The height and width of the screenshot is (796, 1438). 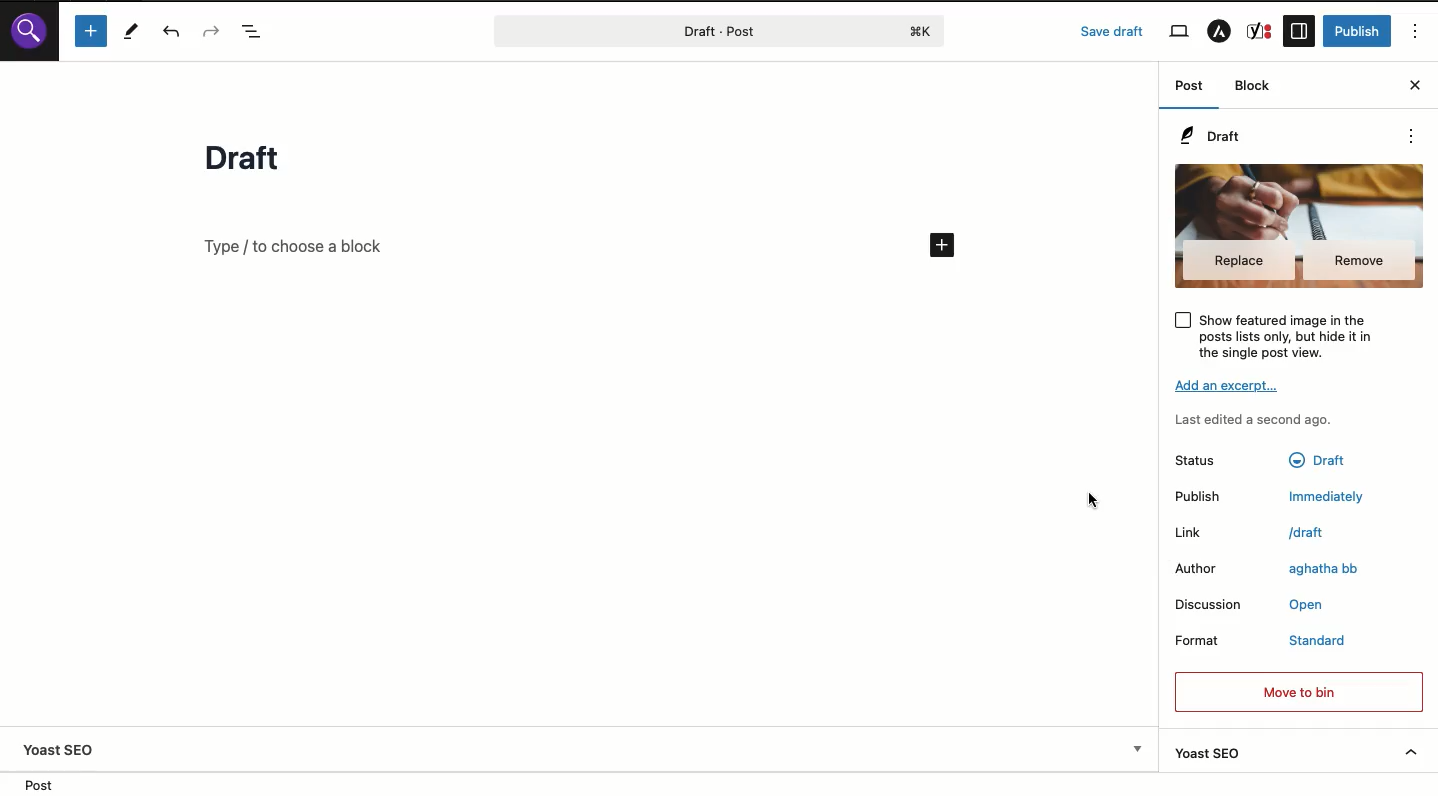 What do you see at coordinates (1113, 31) in the screenshot?
I see `Save draft` at bounding box center [1113, 31].